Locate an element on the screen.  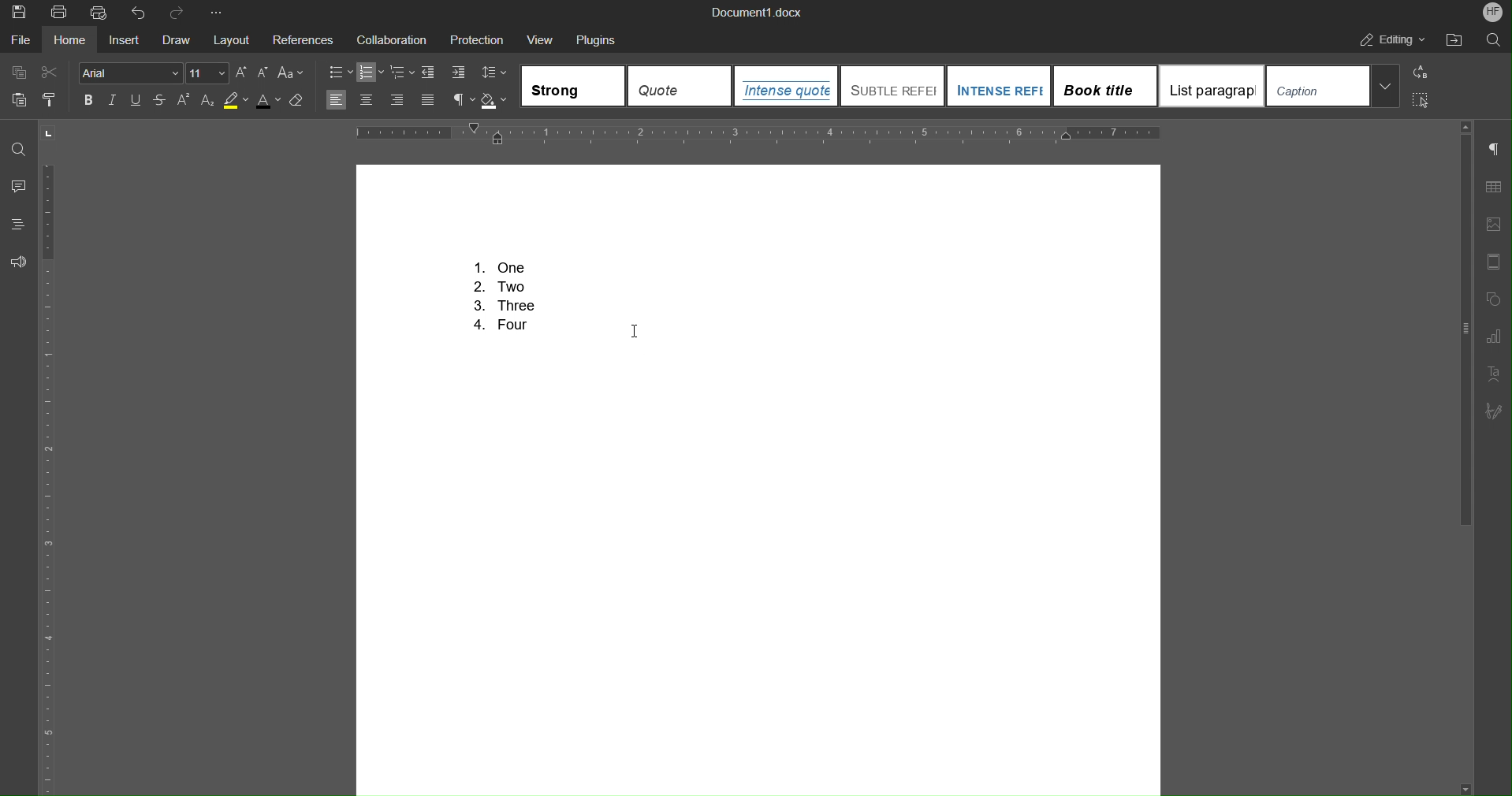
Feedback and Support is located at coordinates (19, 261).